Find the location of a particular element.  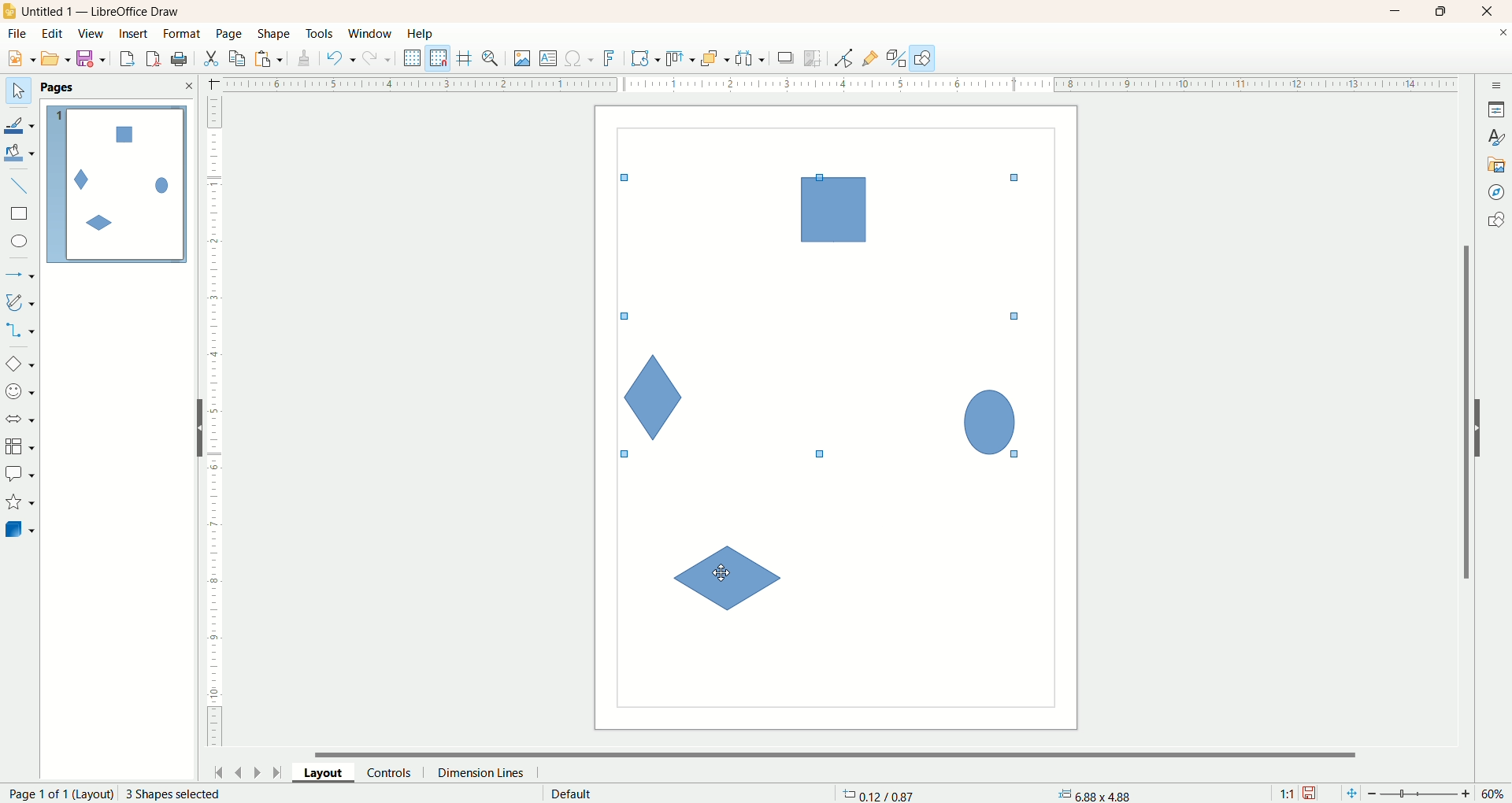

fontwork text is located at coordinates (612, 59).